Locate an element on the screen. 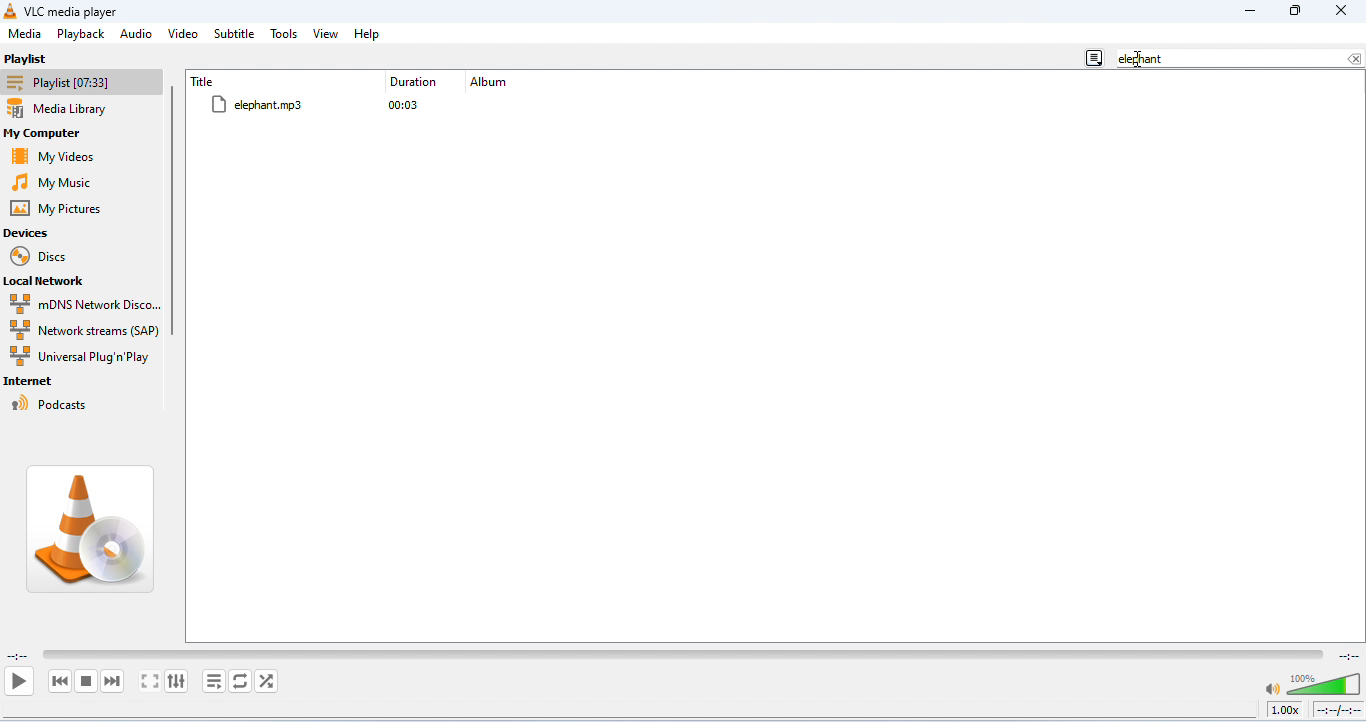 The height and width of the screenshot is (722, 1366). Network streams (SAP) is located at coordinates (83, 330).